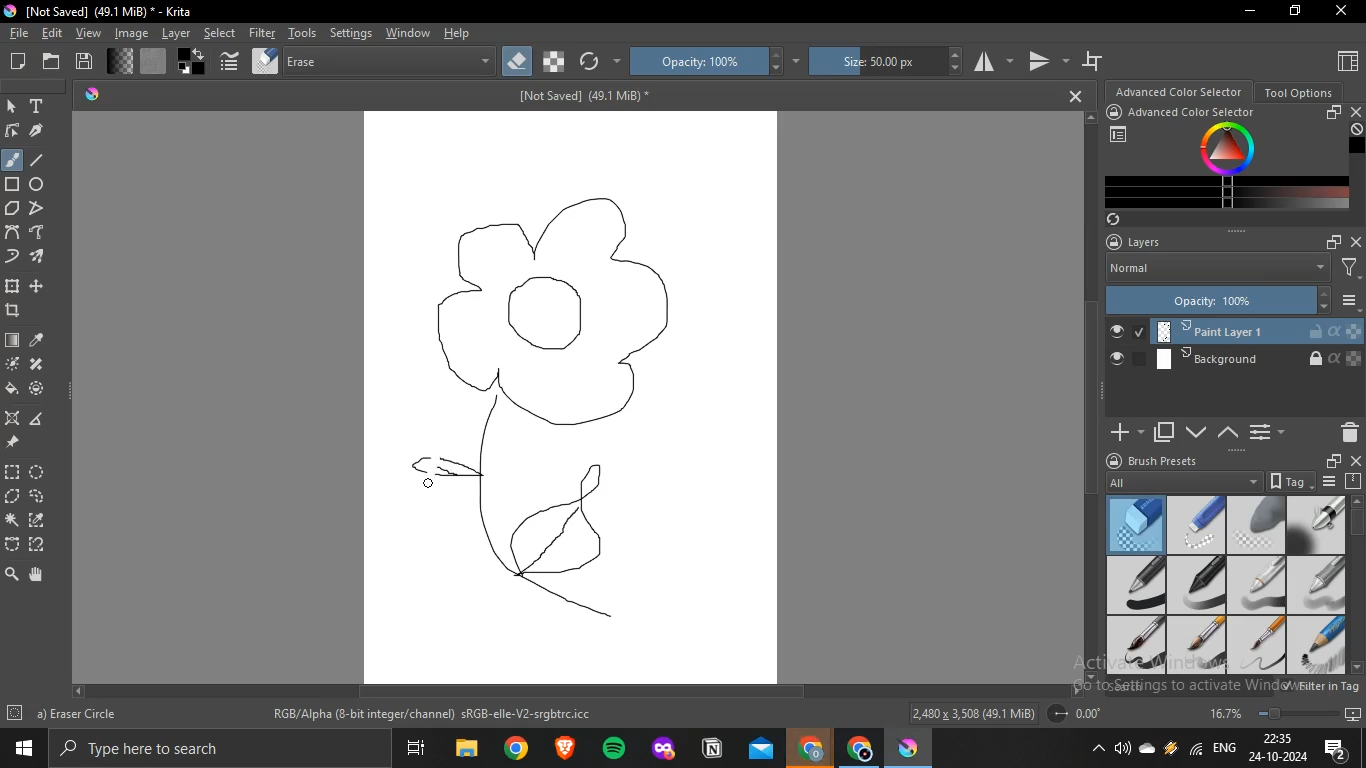 The width and height of the screenshot is (1366, 768). Describe the element at coordinates (1252, 12) in the screenshot. I see `Minimize` at that location.